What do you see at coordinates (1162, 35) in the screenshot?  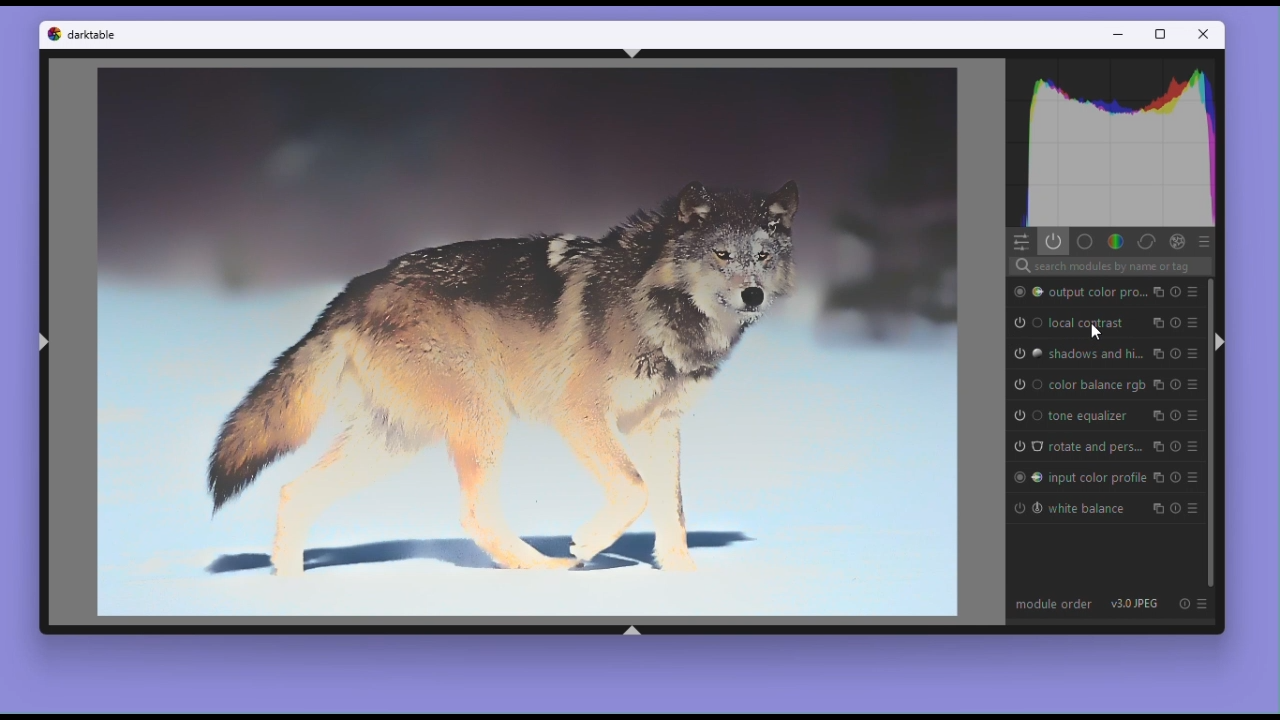 I see `maximize` at bounding box center [1162, 35].